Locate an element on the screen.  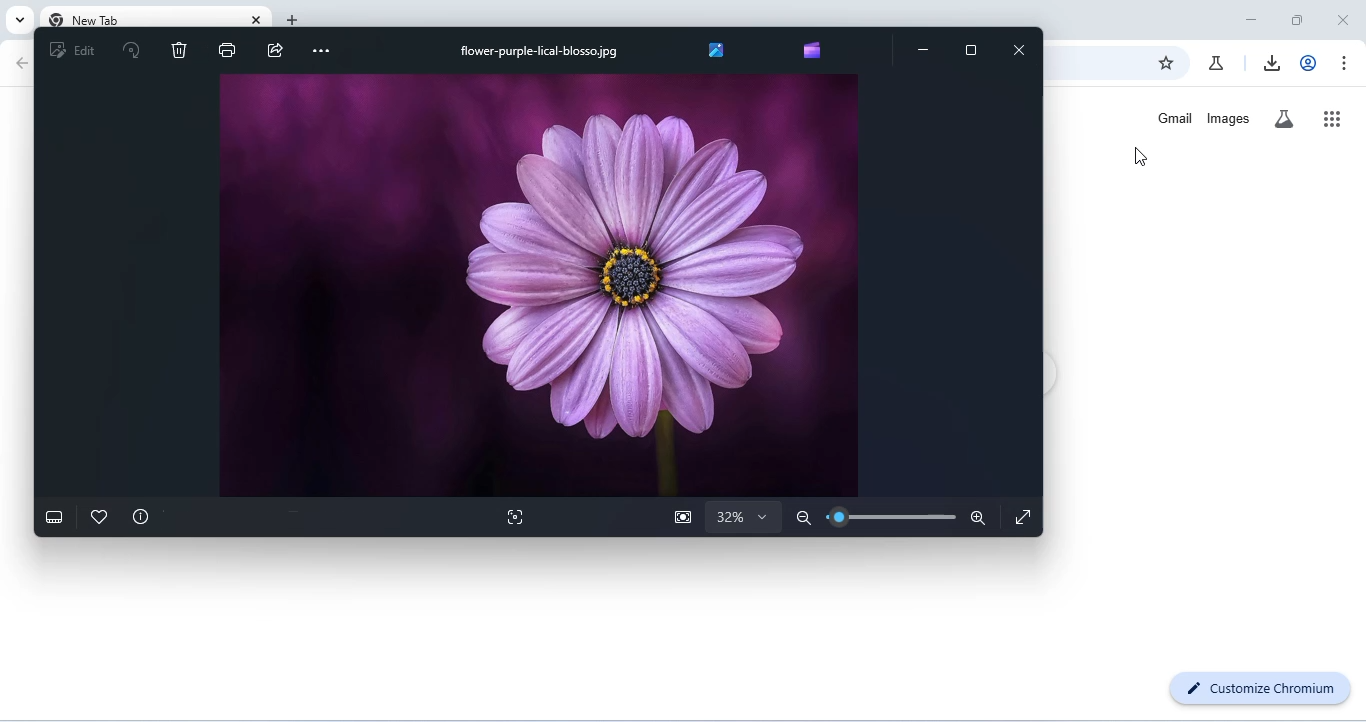
zoom to actual size is located at coordinates (681, 517).